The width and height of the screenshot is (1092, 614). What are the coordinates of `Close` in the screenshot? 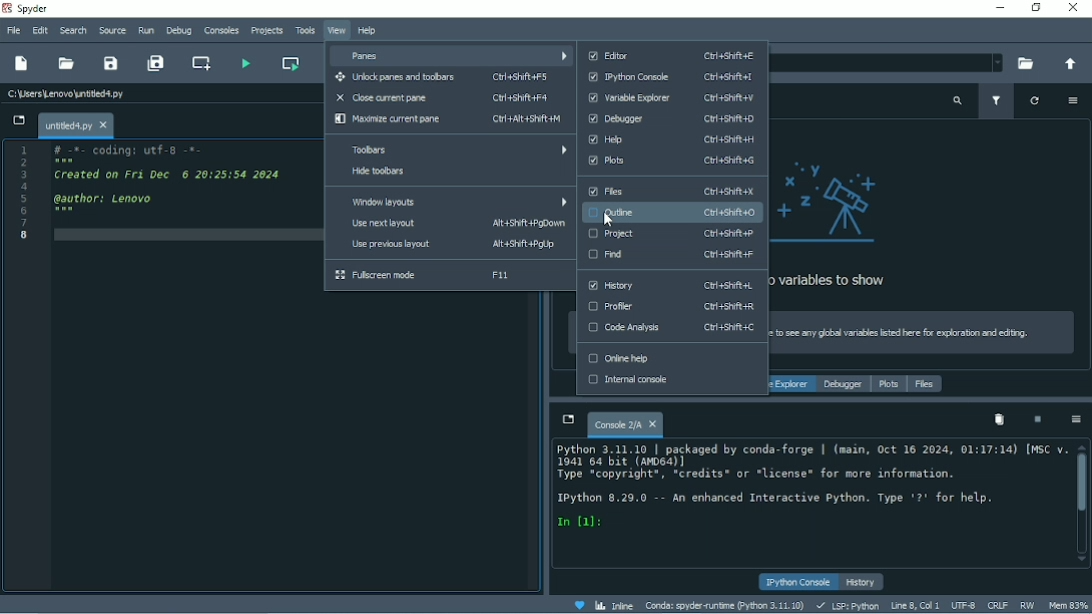 It's located at (1076, 8).